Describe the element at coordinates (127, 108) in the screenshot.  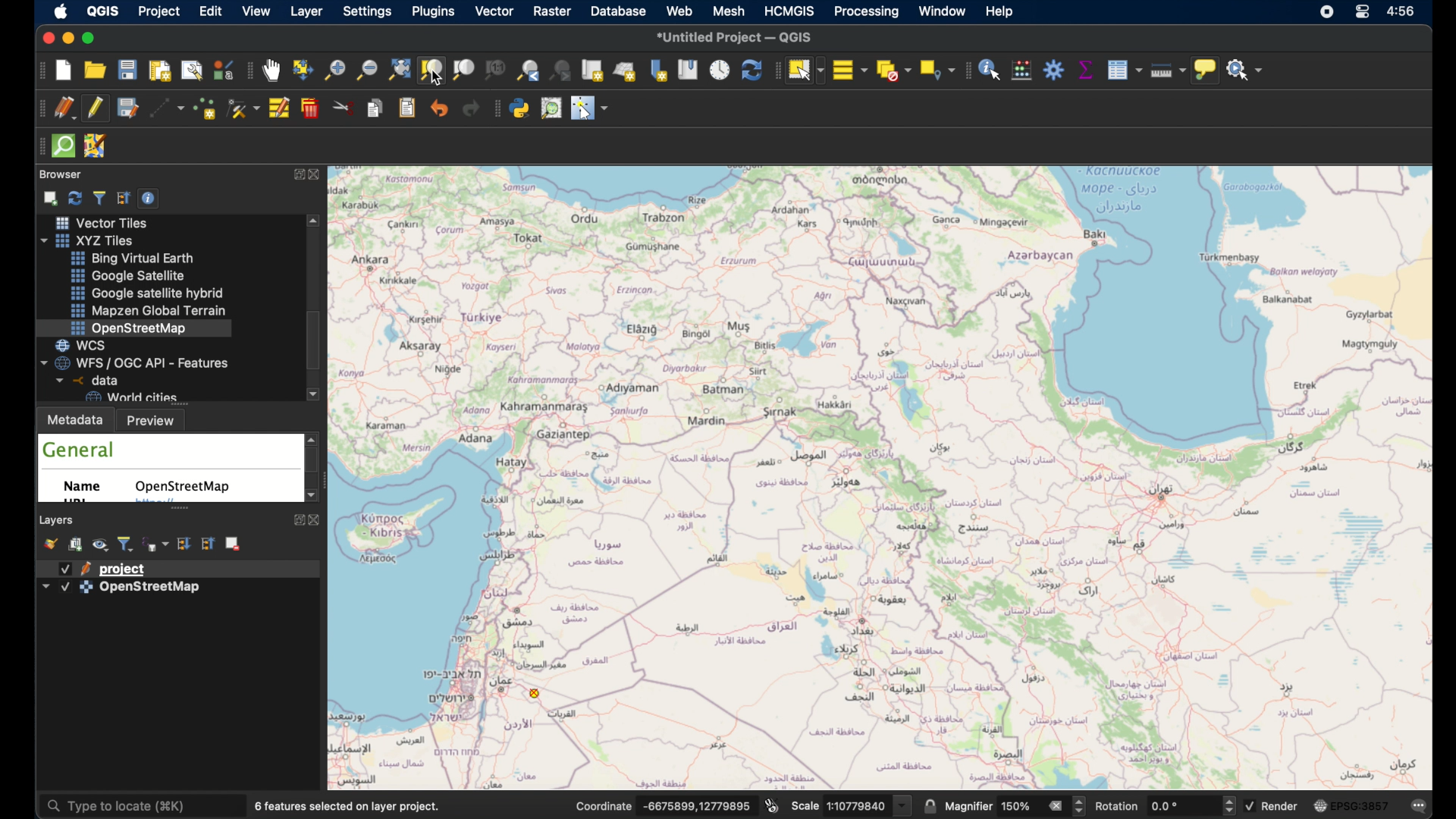
I see `save project` at that location.